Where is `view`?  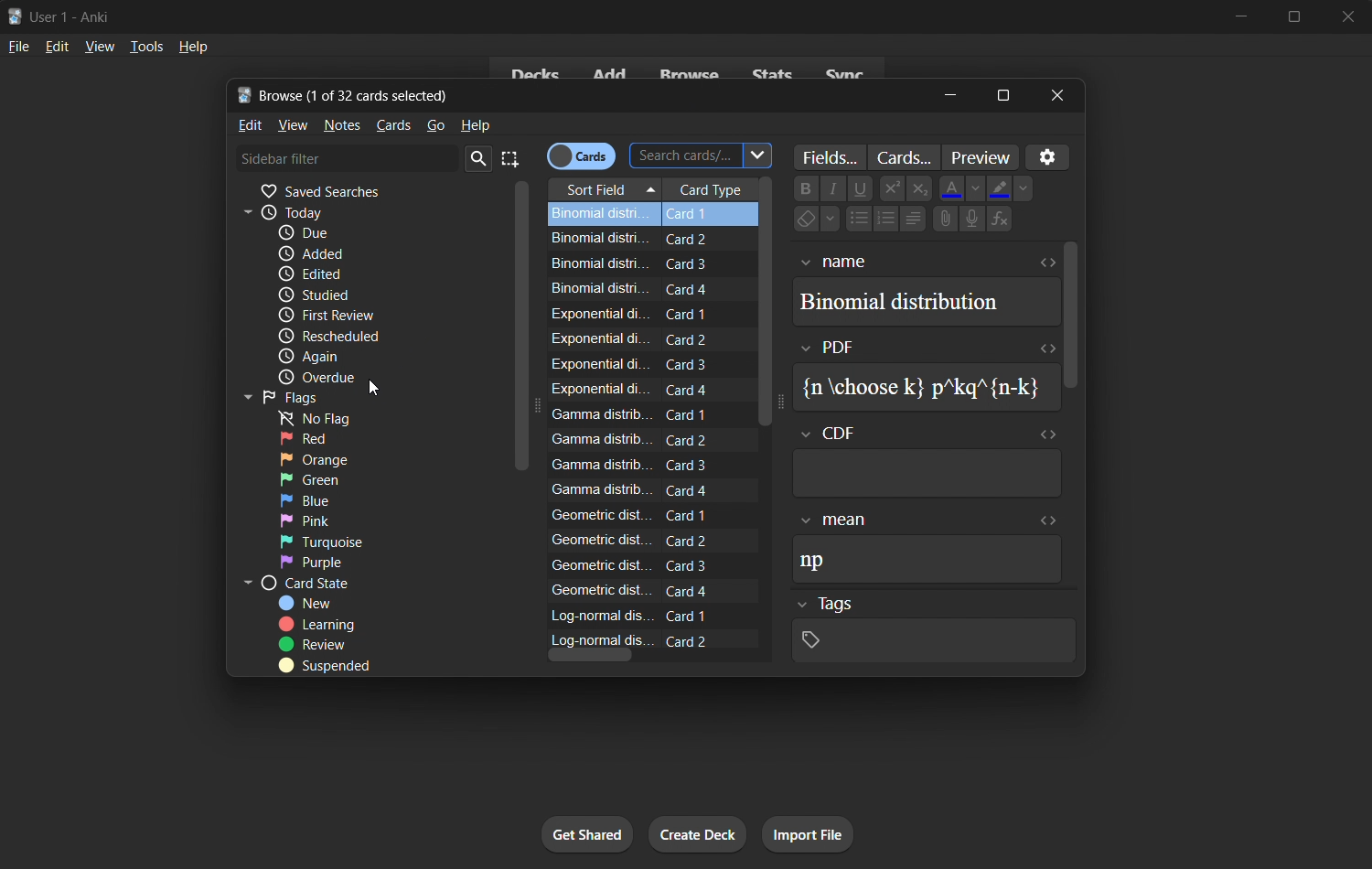 view is located at coordinates (101, 46).